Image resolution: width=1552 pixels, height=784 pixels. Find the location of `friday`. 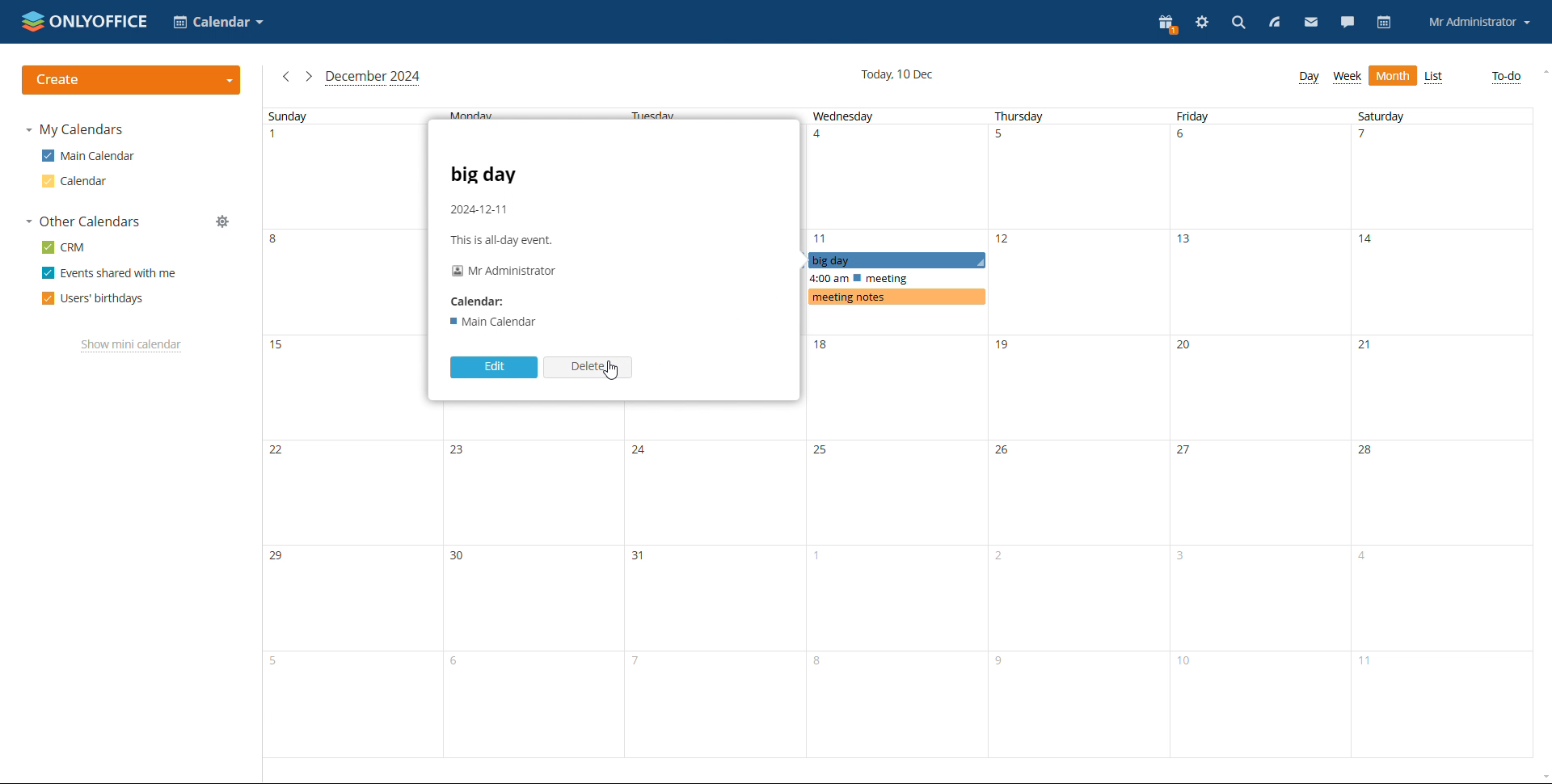

friday is located at coordinates (1259, 434).